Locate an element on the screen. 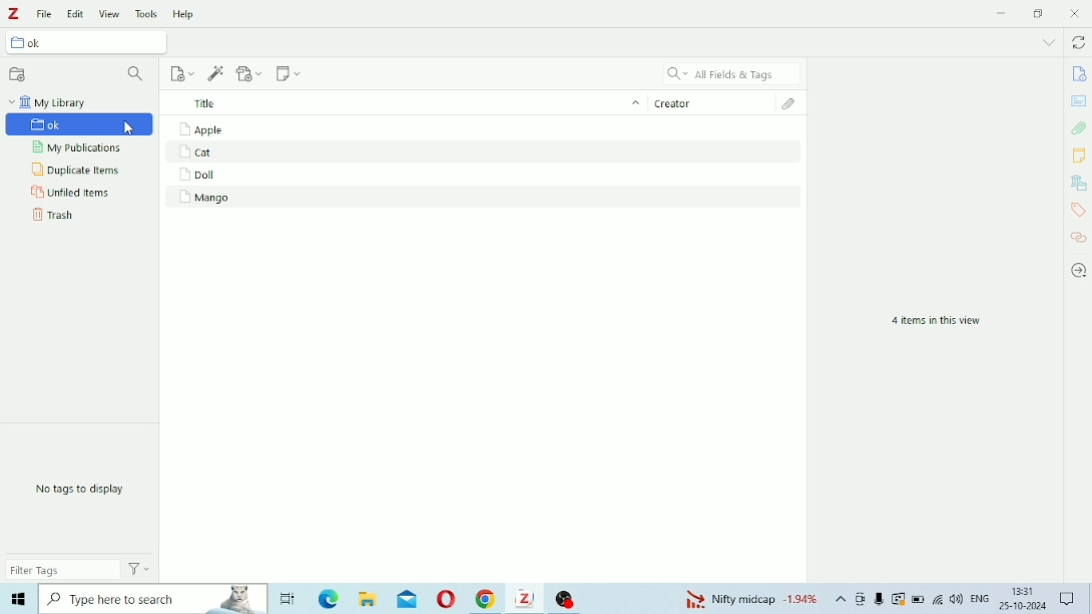 The height and width of the screenshot is (614, 1092). Info is located at coordinates (1078, 74).